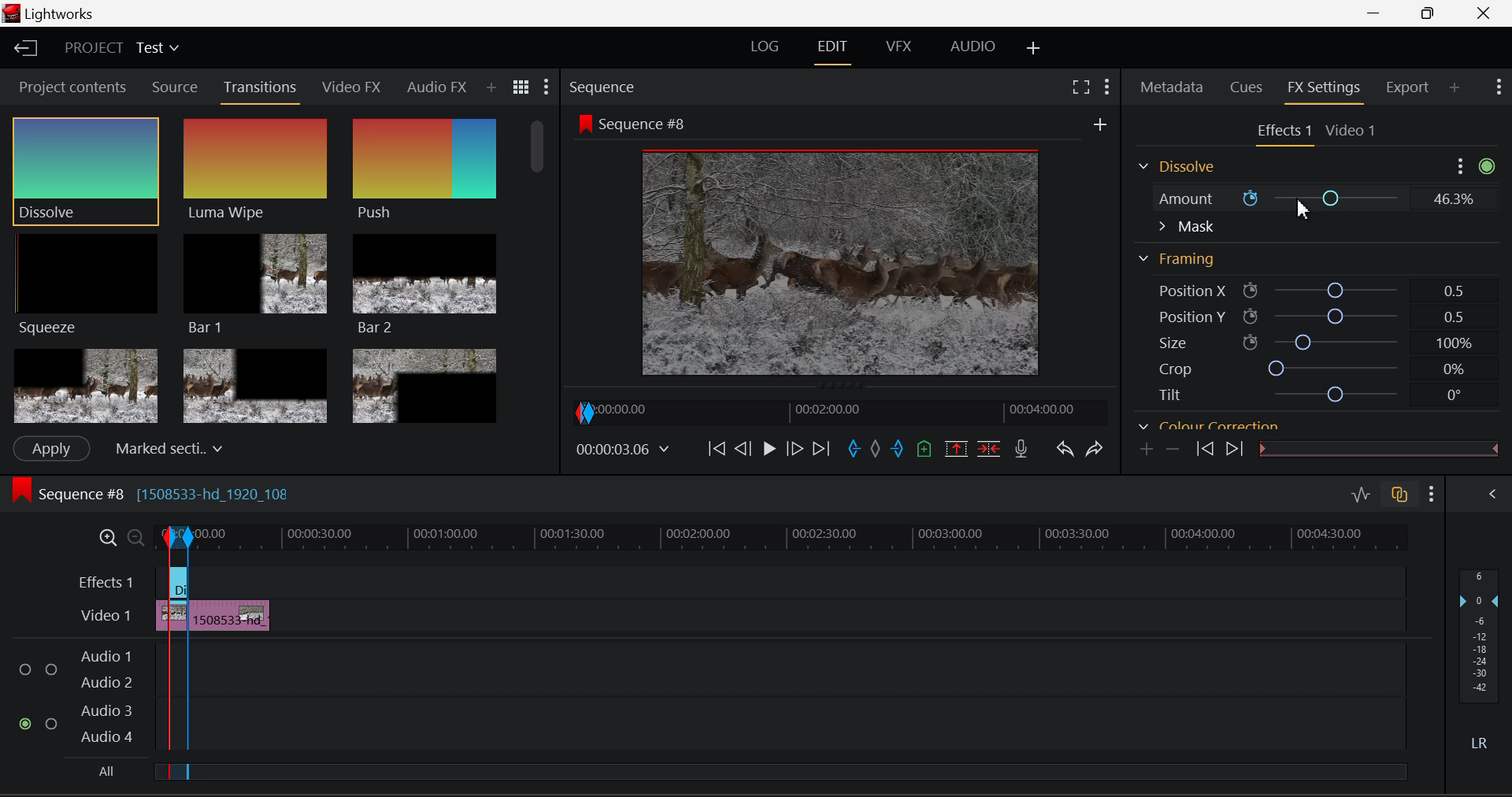  I want to click on Show Settings, so click(1499, 87).